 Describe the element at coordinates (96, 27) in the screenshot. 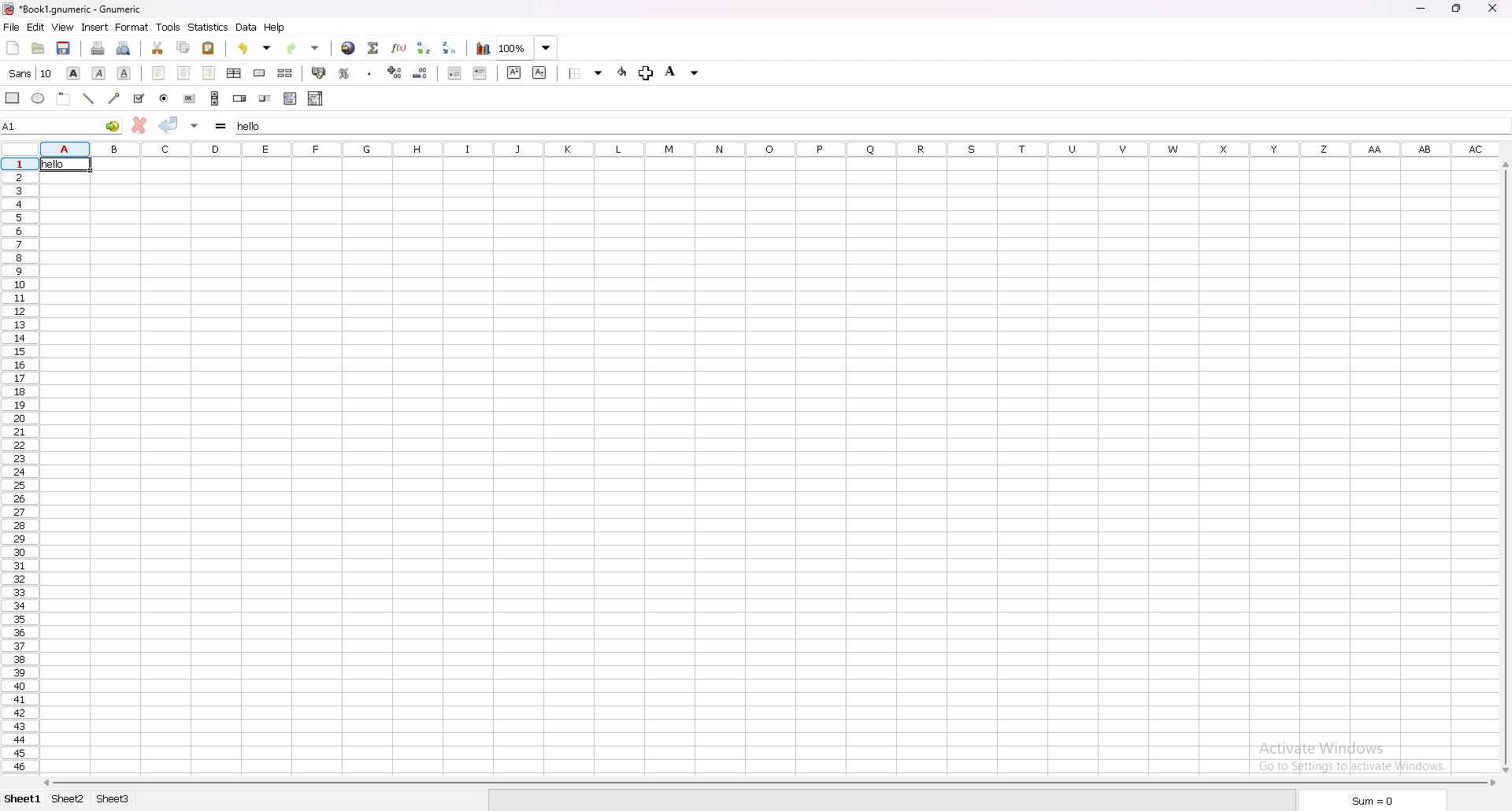

I see `insert` at that location.